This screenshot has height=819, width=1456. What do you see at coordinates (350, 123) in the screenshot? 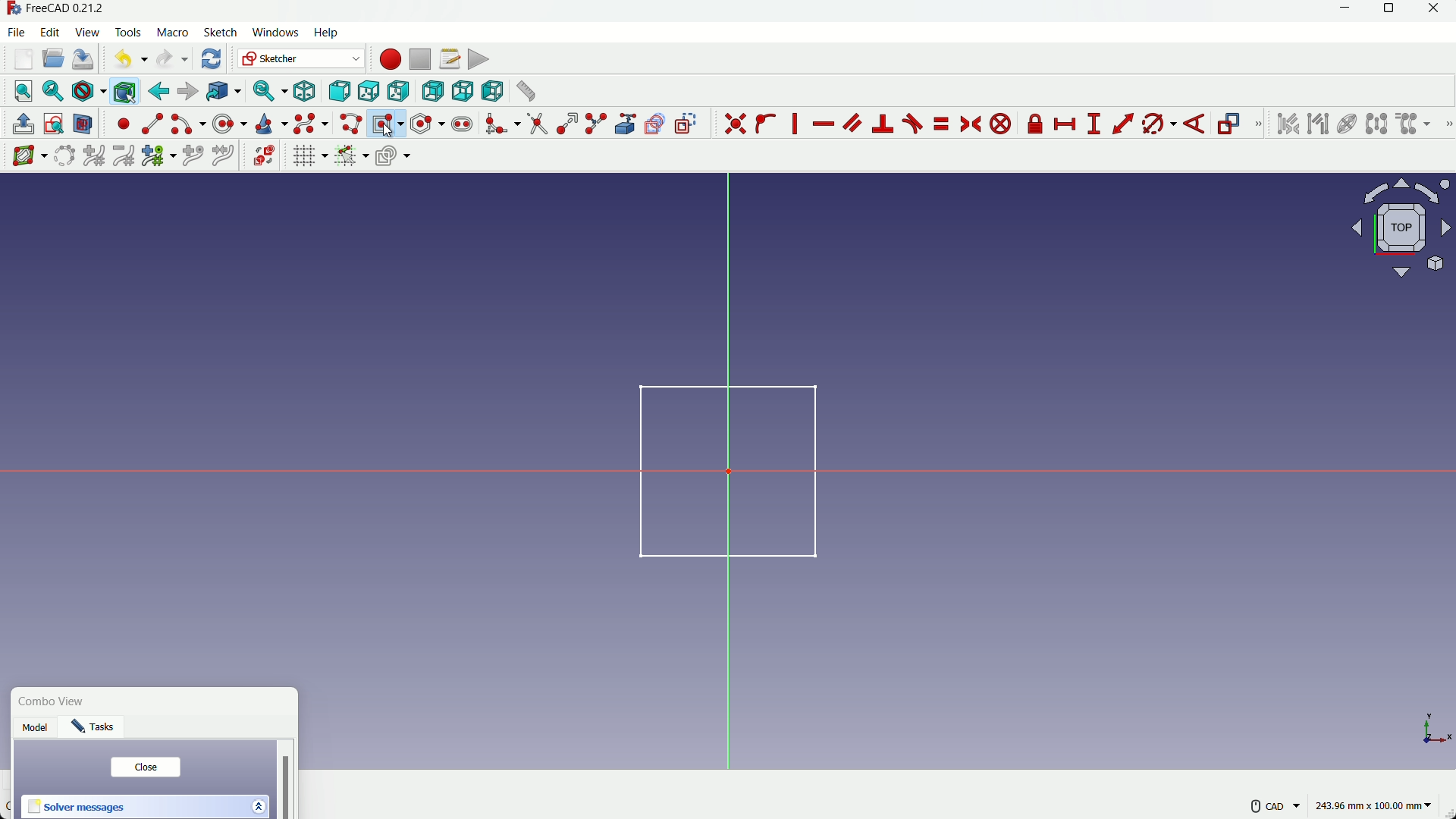
I see `create polyline` at bounding box center [350, 123].